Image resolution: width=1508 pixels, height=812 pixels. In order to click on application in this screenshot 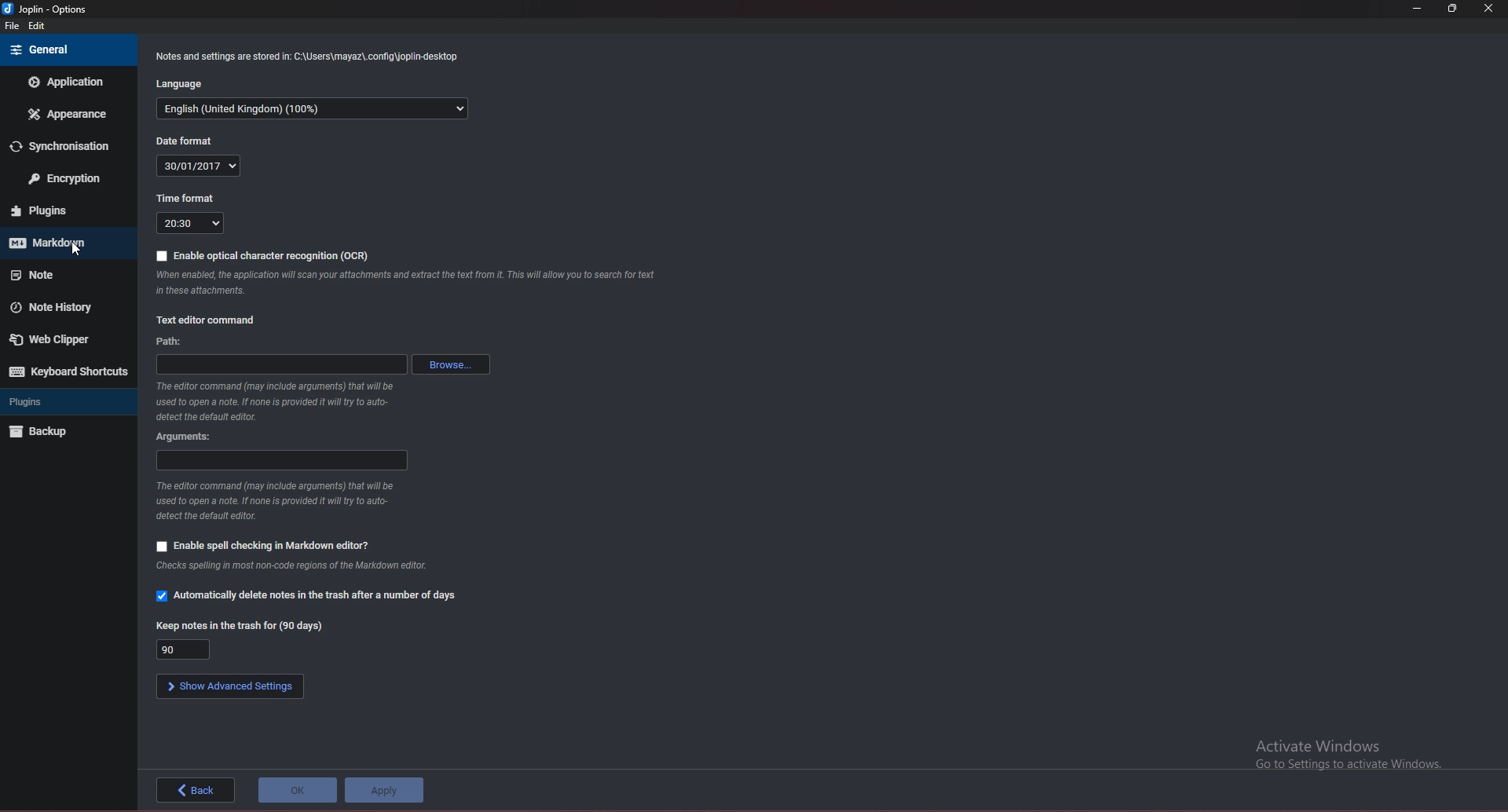, I will do `click(68, 82)`.